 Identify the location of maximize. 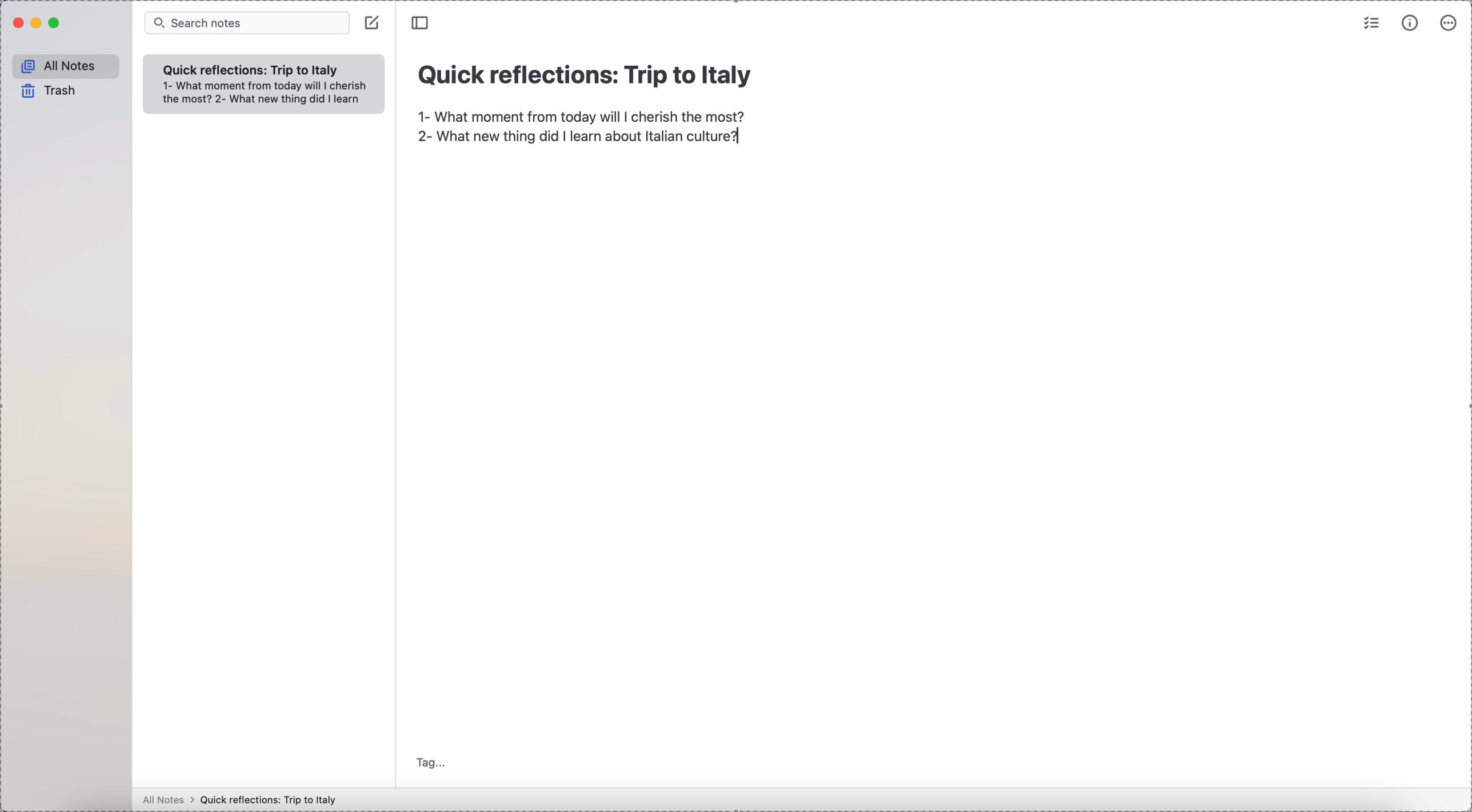
(56, 23).